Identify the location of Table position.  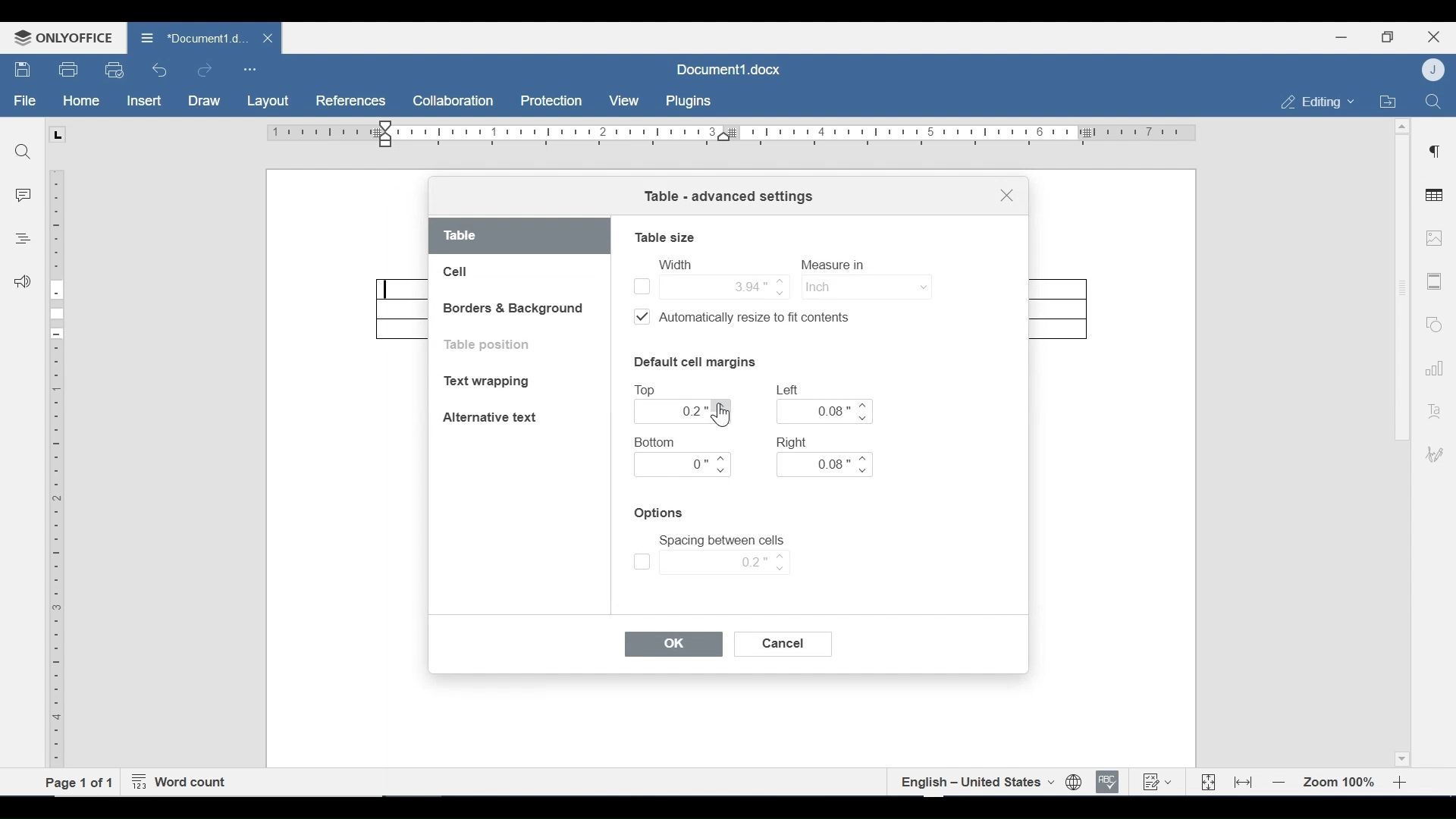
(491, 345).